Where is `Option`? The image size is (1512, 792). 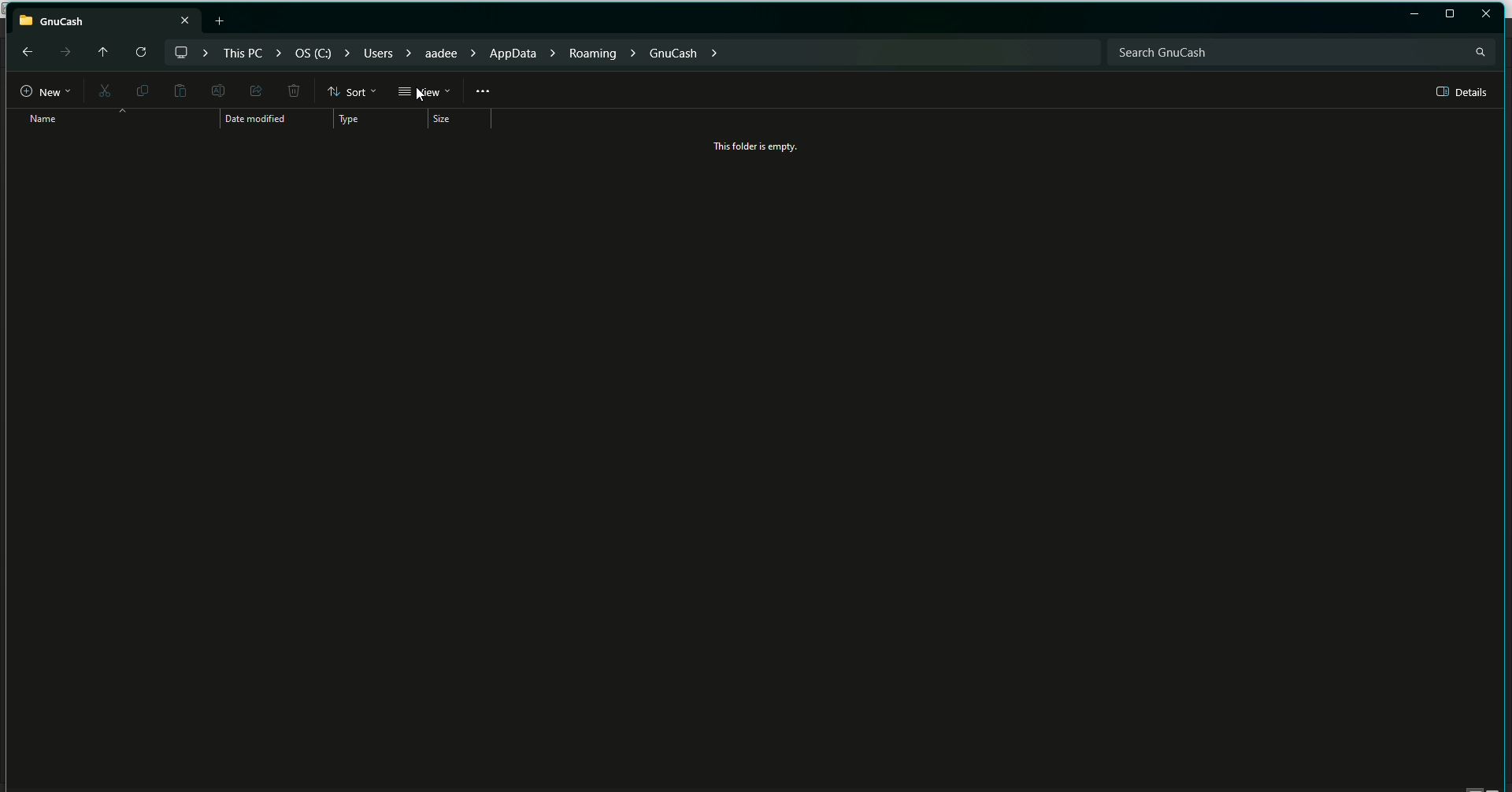 Option is located at coordinates (484, 91).